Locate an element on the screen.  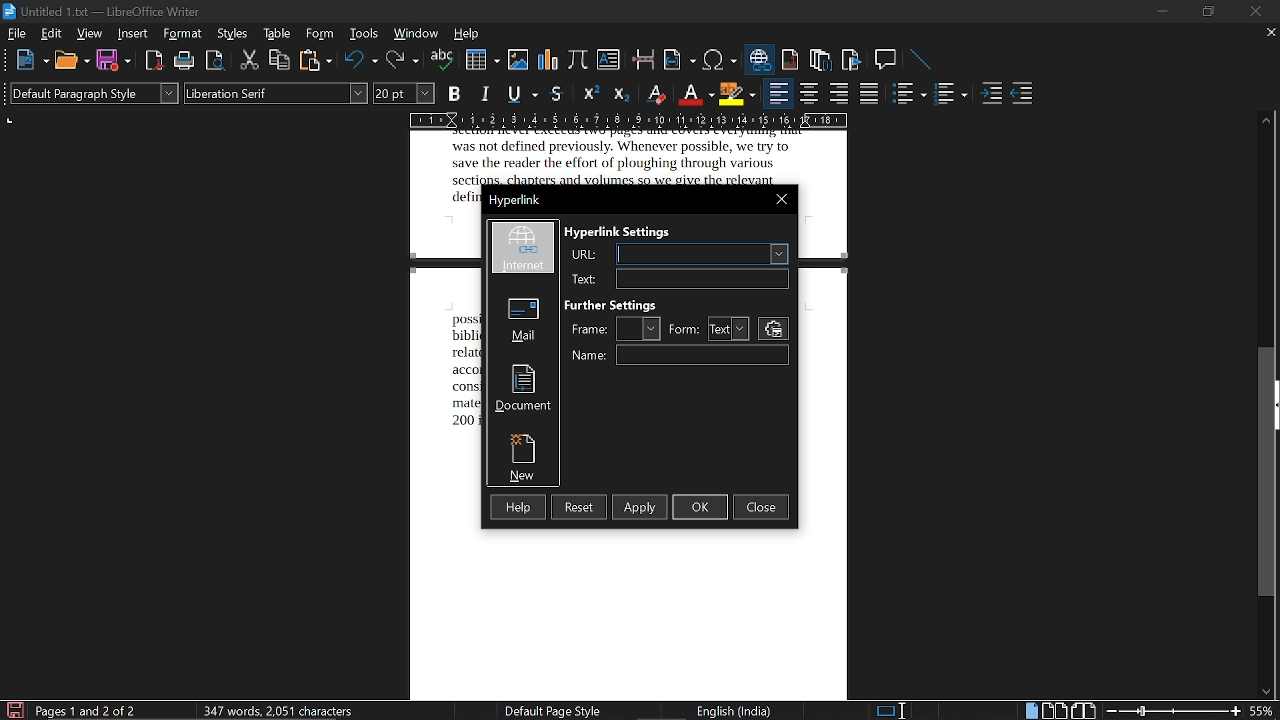
view is located at coordinates (90, 33).